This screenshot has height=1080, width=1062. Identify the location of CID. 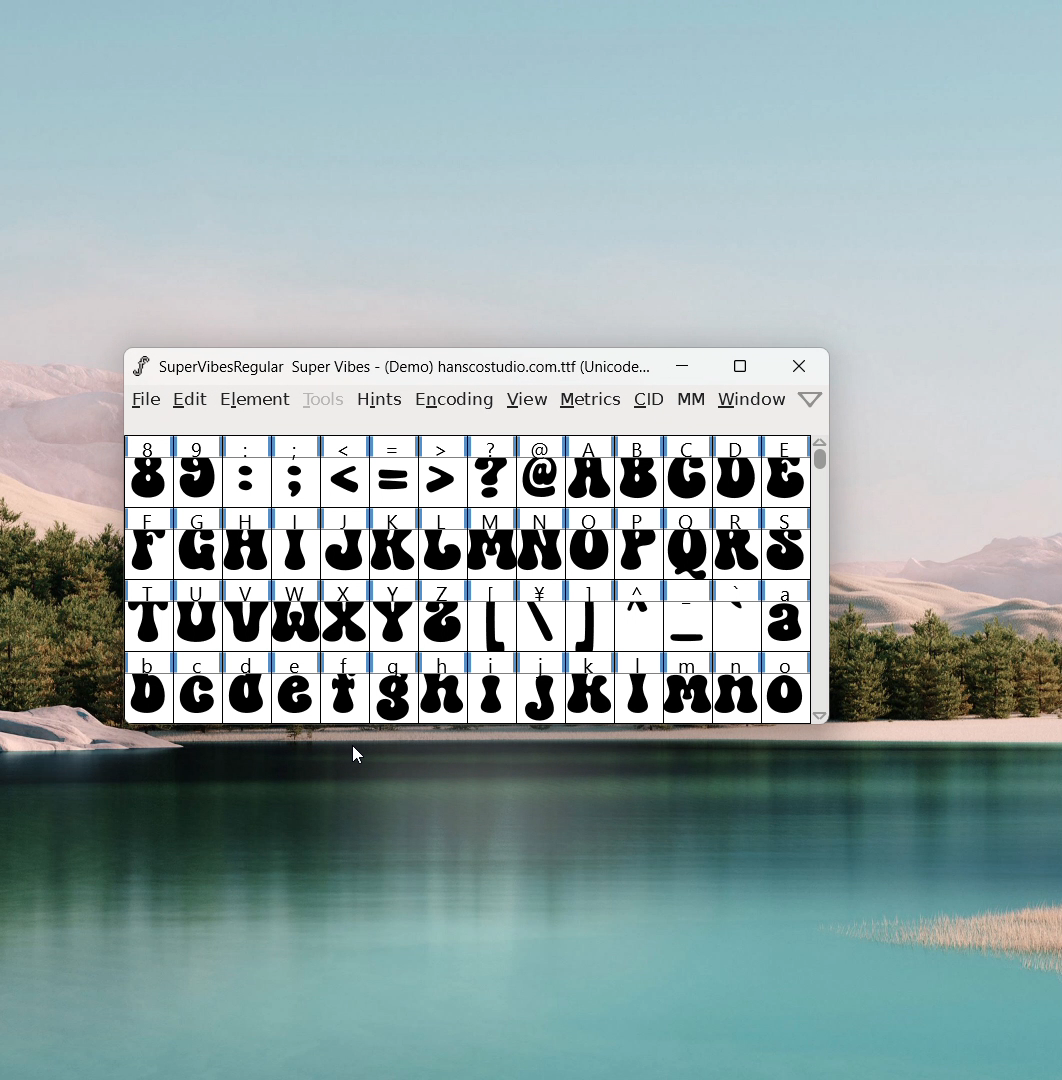
(649, 400).